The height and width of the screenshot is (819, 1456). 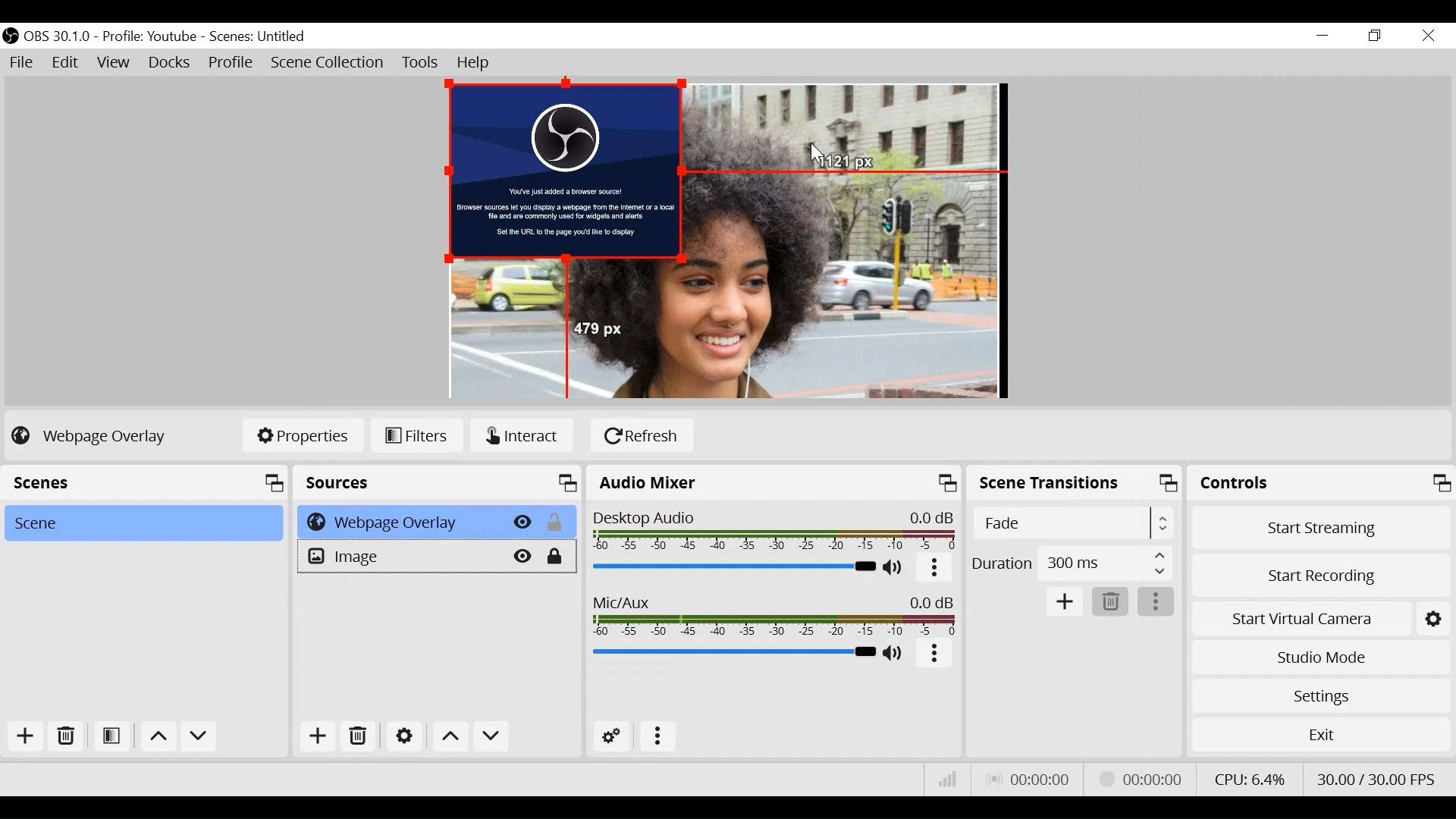 I want to click on Restore, so click(x=1378, y=36).